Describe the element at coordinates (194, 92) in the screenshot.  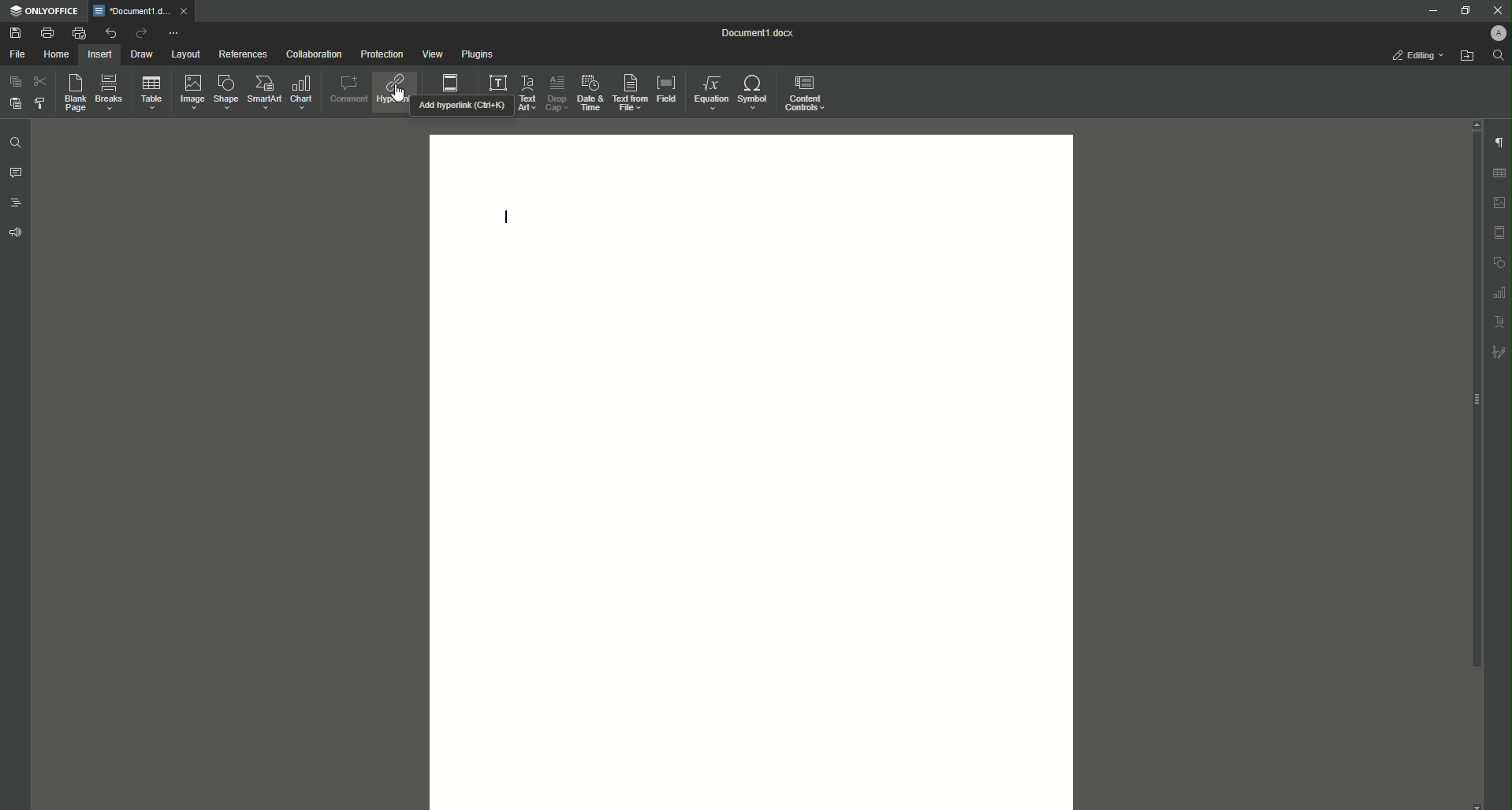
I see `Image` at that location.